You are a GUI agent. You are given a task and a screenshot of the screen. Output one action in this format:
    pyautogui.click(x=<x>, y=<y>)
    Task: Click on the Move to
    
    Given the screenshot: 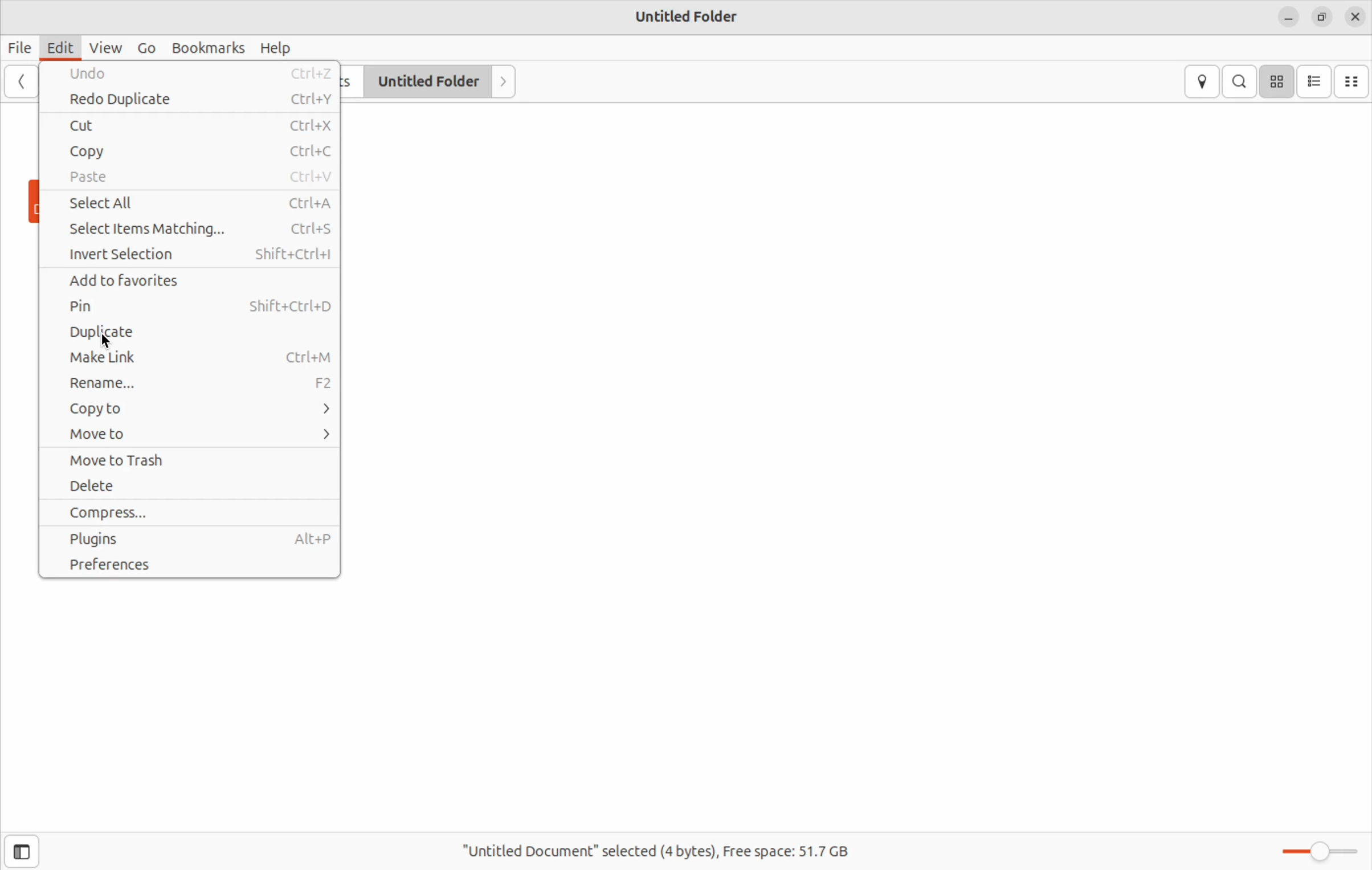 What is the action you would take?
    pyautogui.click(x=190, y=436)
    